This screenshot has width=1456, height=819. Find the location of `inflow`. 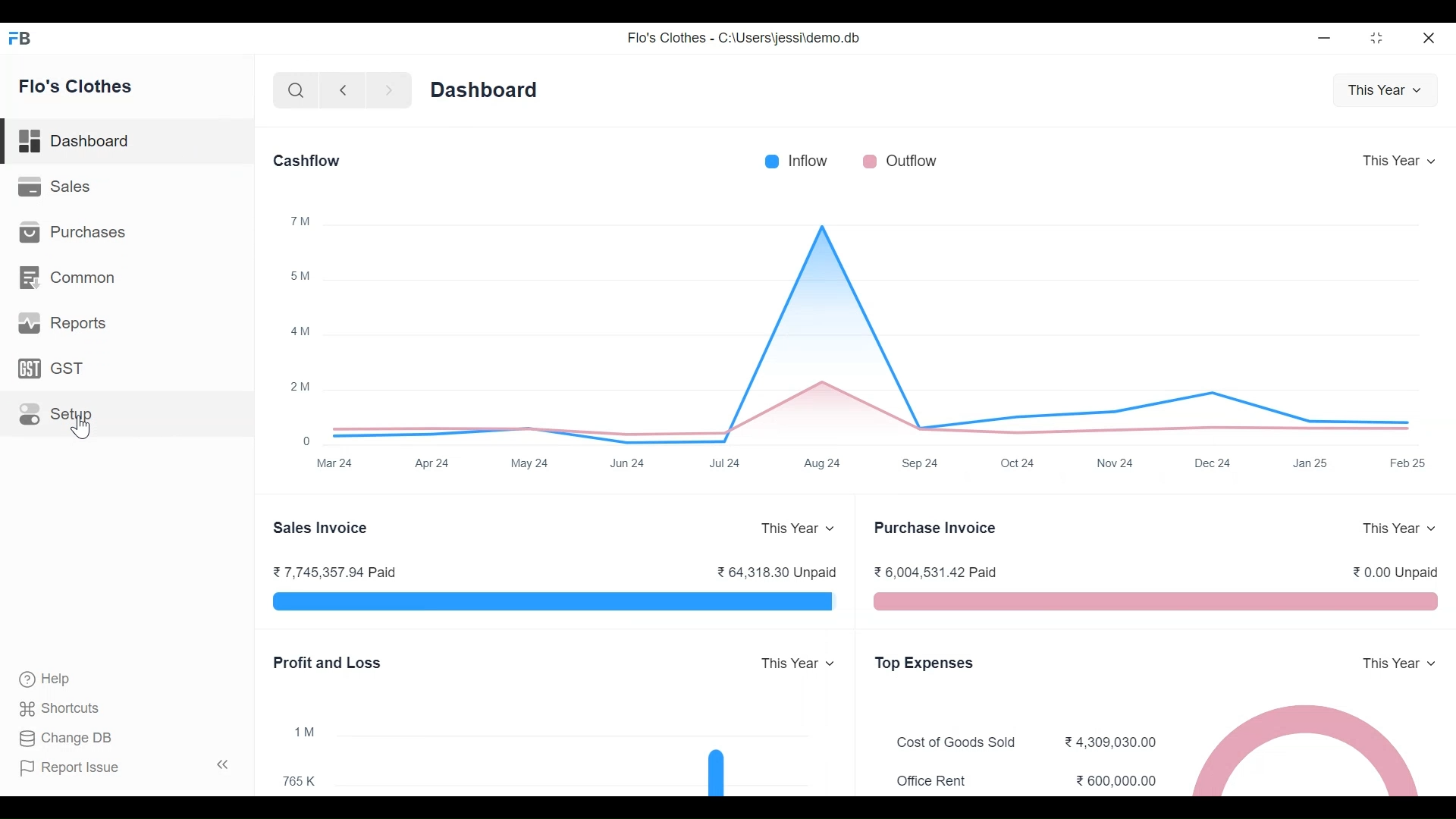

inflow is located at coordinates (795, 161).